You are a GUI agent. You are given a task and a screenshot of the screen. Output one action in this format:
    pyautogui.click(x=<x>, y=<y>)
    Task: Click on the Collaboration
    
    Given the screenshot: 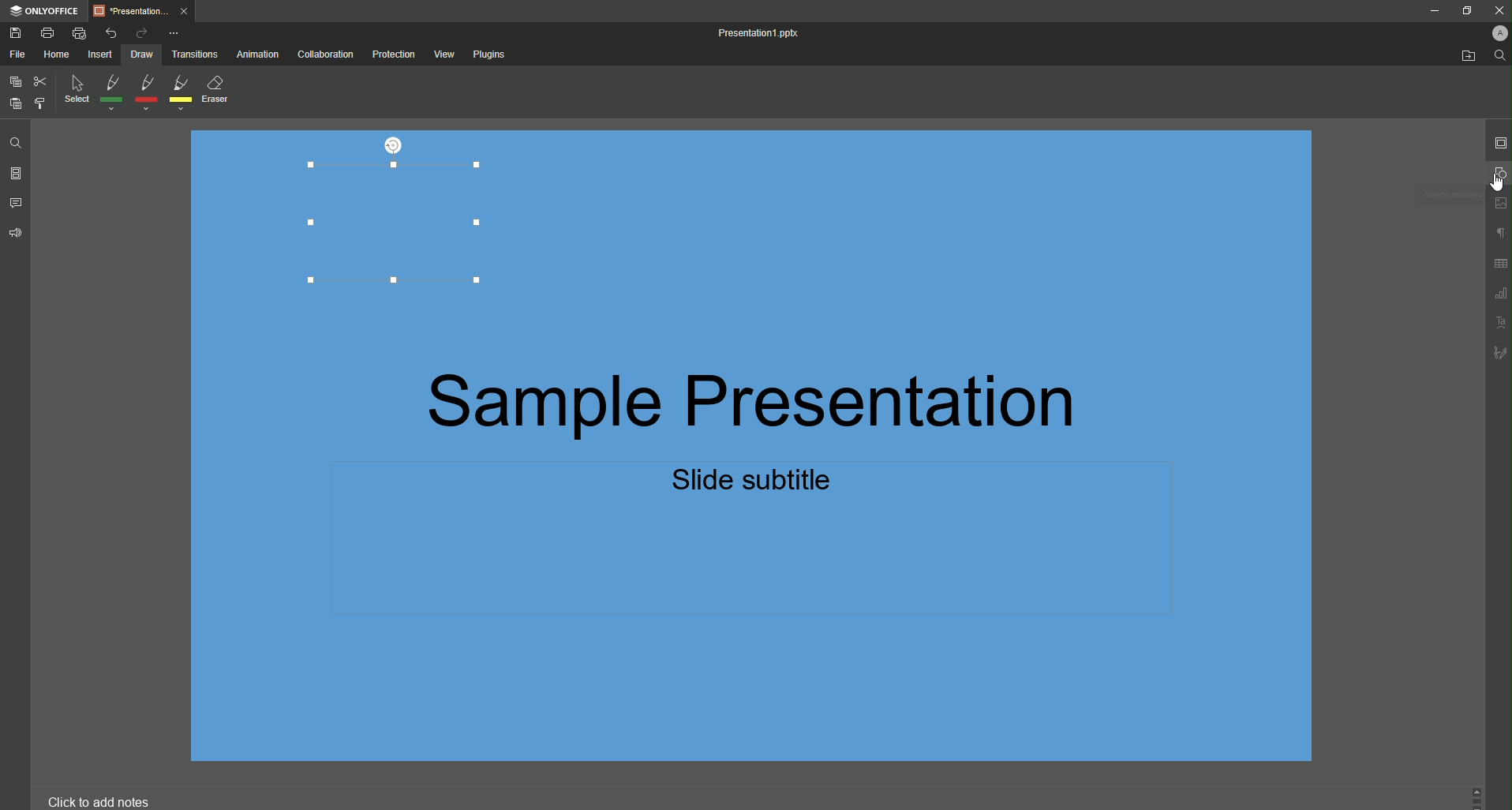 What is the action you would take?
    pyautogui.click(x=324, y=55)
    